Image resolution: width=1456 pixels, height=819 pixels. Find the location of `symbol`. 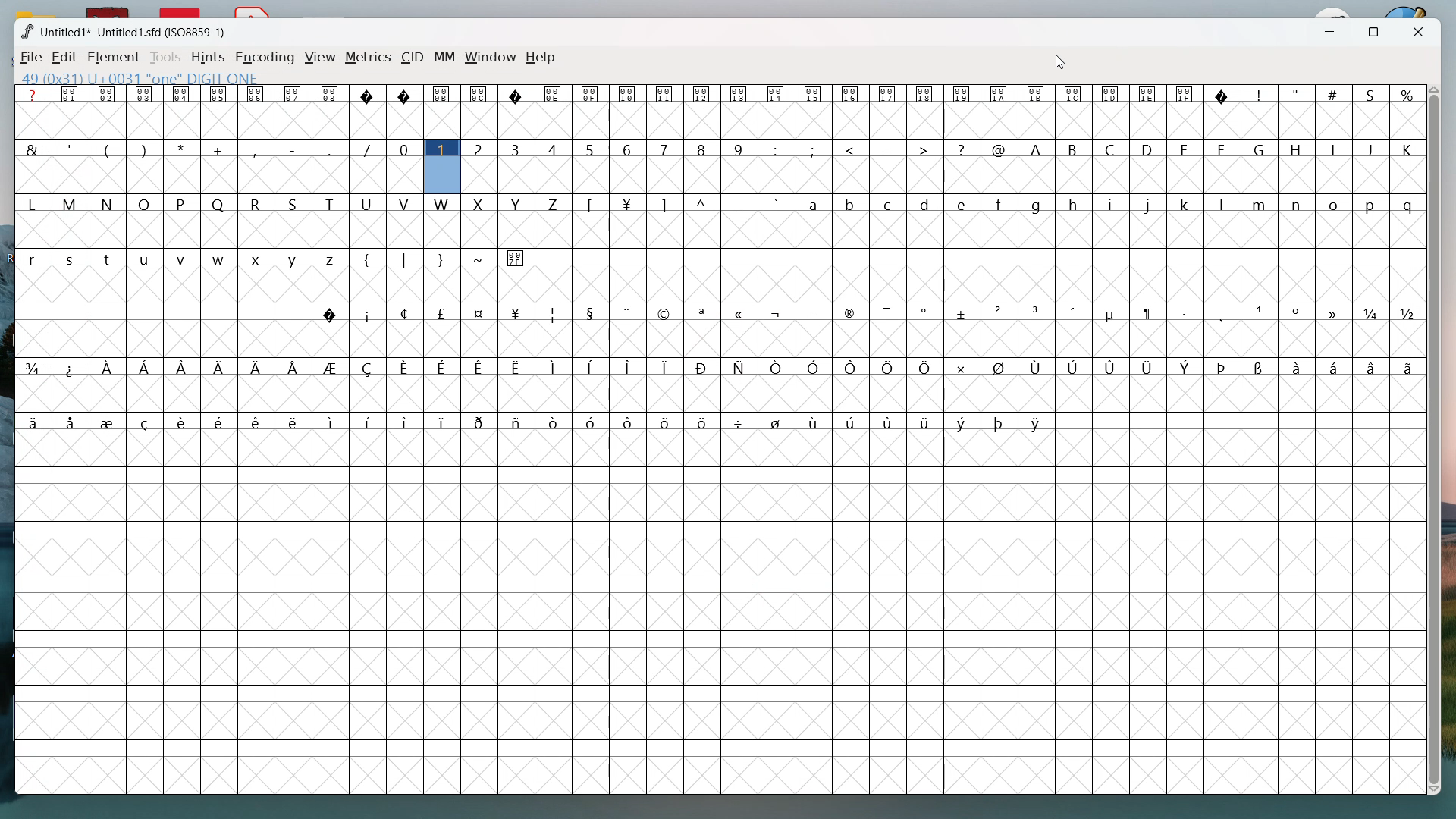

symbol is located at coordinates (293, 93).